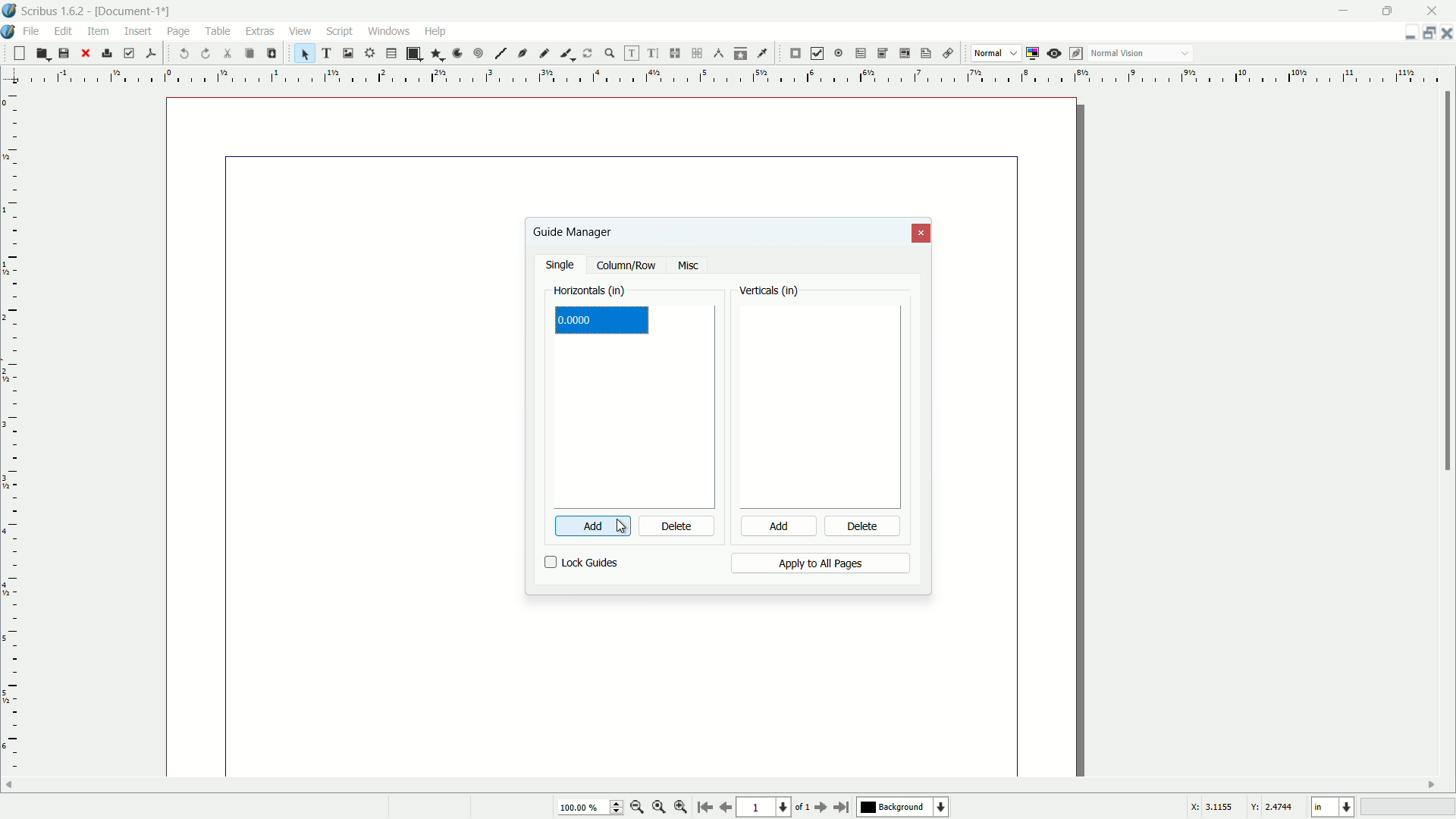  I want to click on windows menu, so click(391, 30).